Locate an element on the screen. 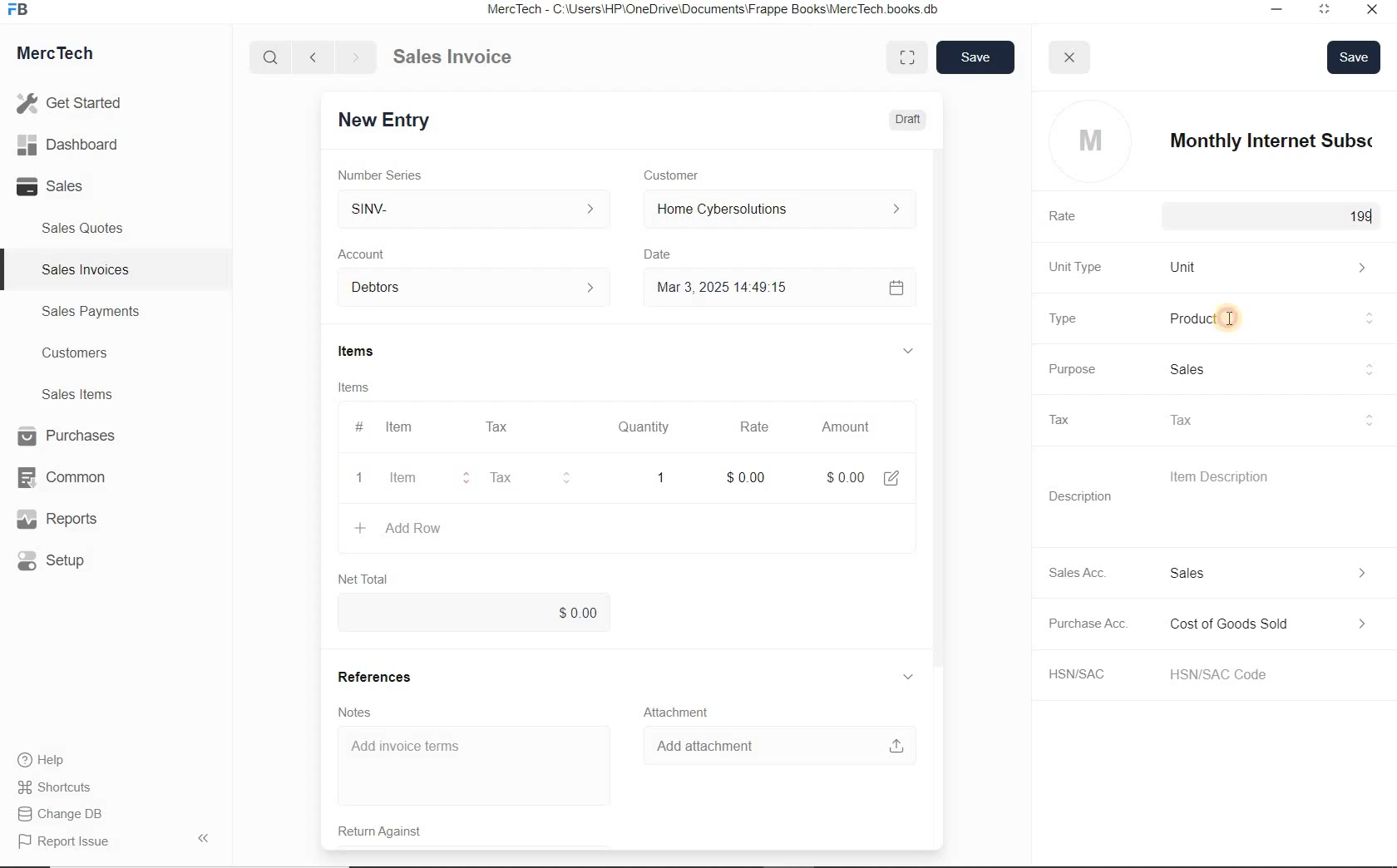  Change DB is located at coordinates (62, 814).